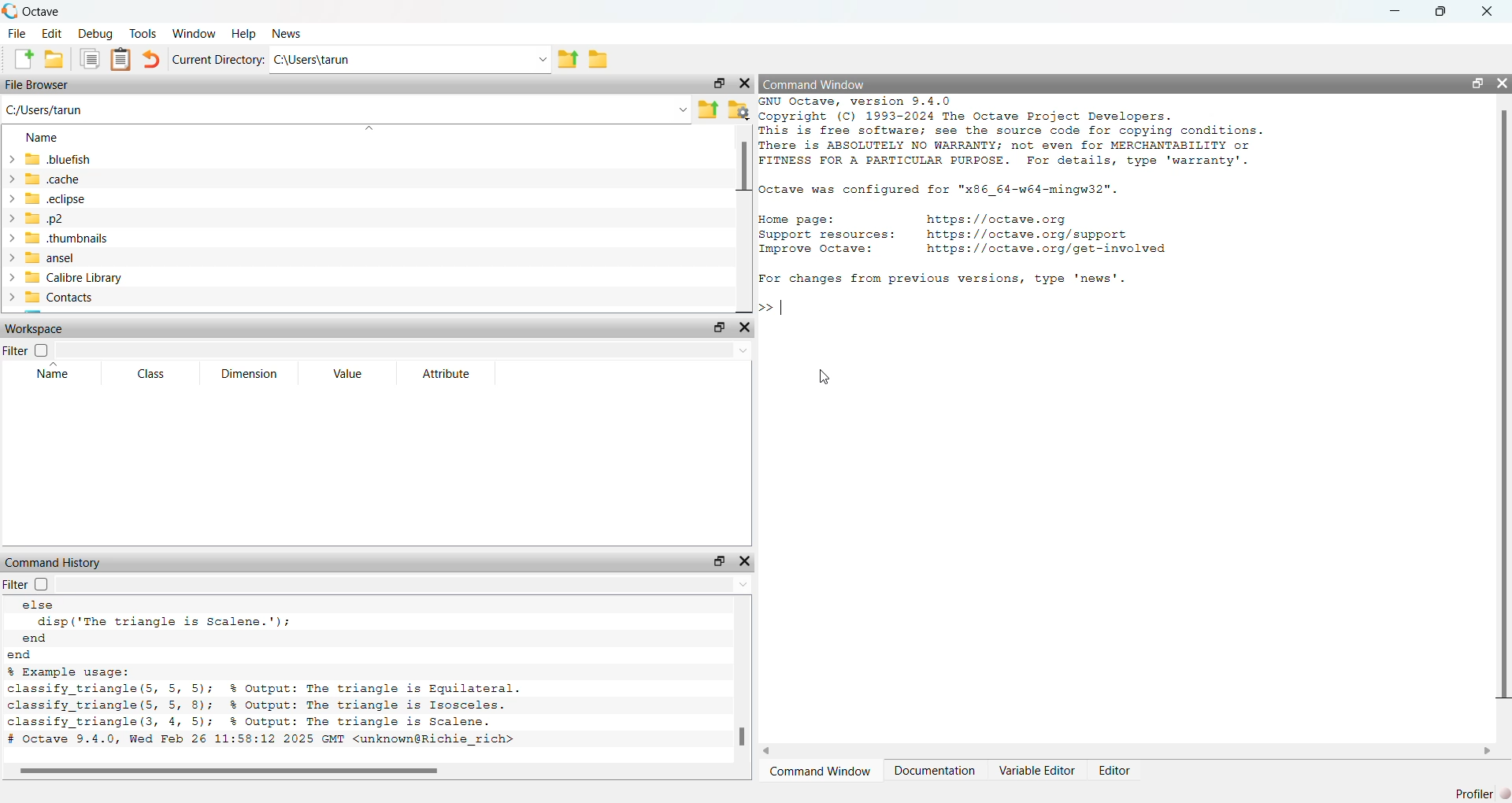 The height and width of the screenshot is (803, 1512). Describe the element at coordinates (37, 327) in the screenshot. I see `workspace` at that location.